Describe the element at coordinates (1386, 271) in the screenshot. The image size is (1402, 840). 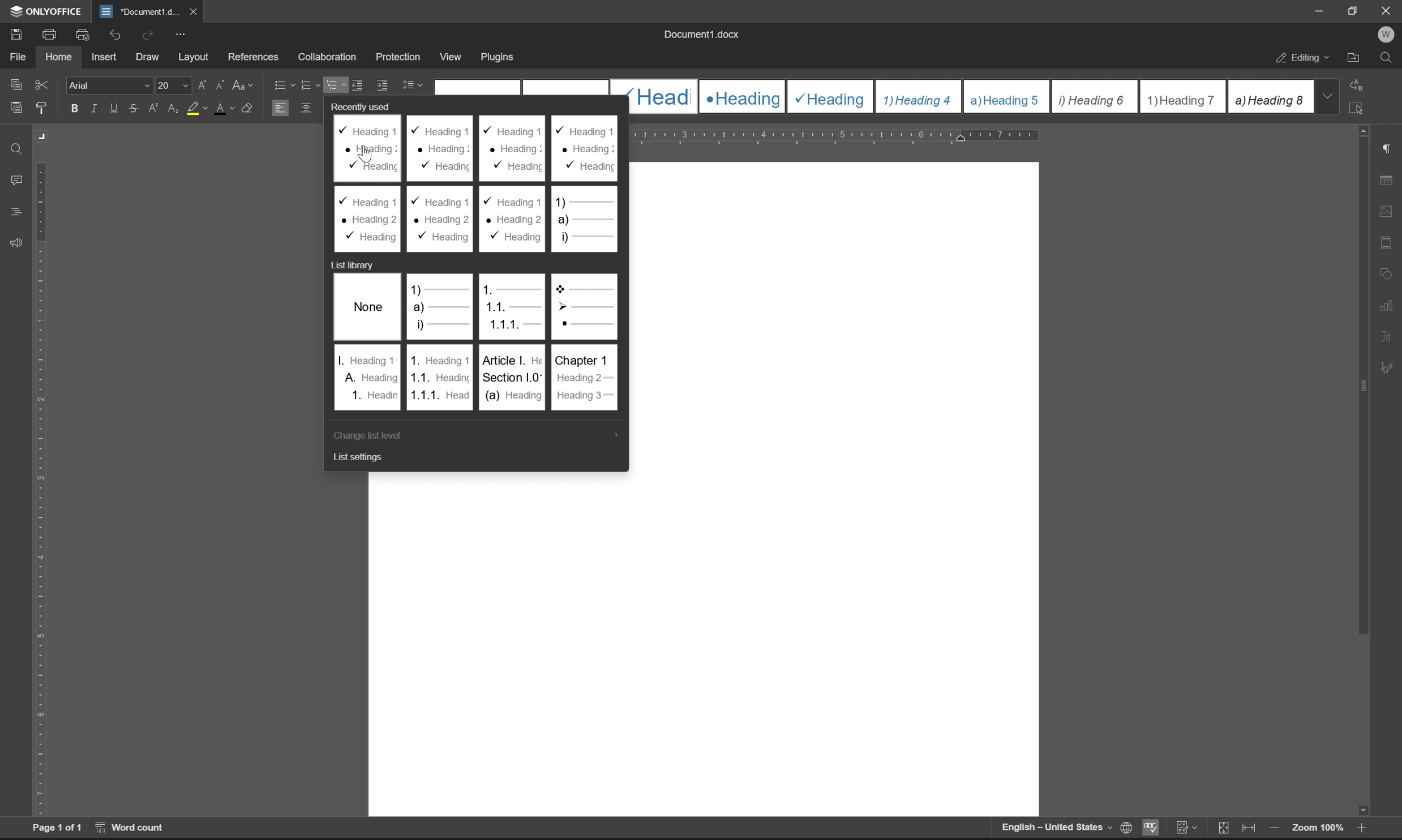
I see `shape settings` at that location.